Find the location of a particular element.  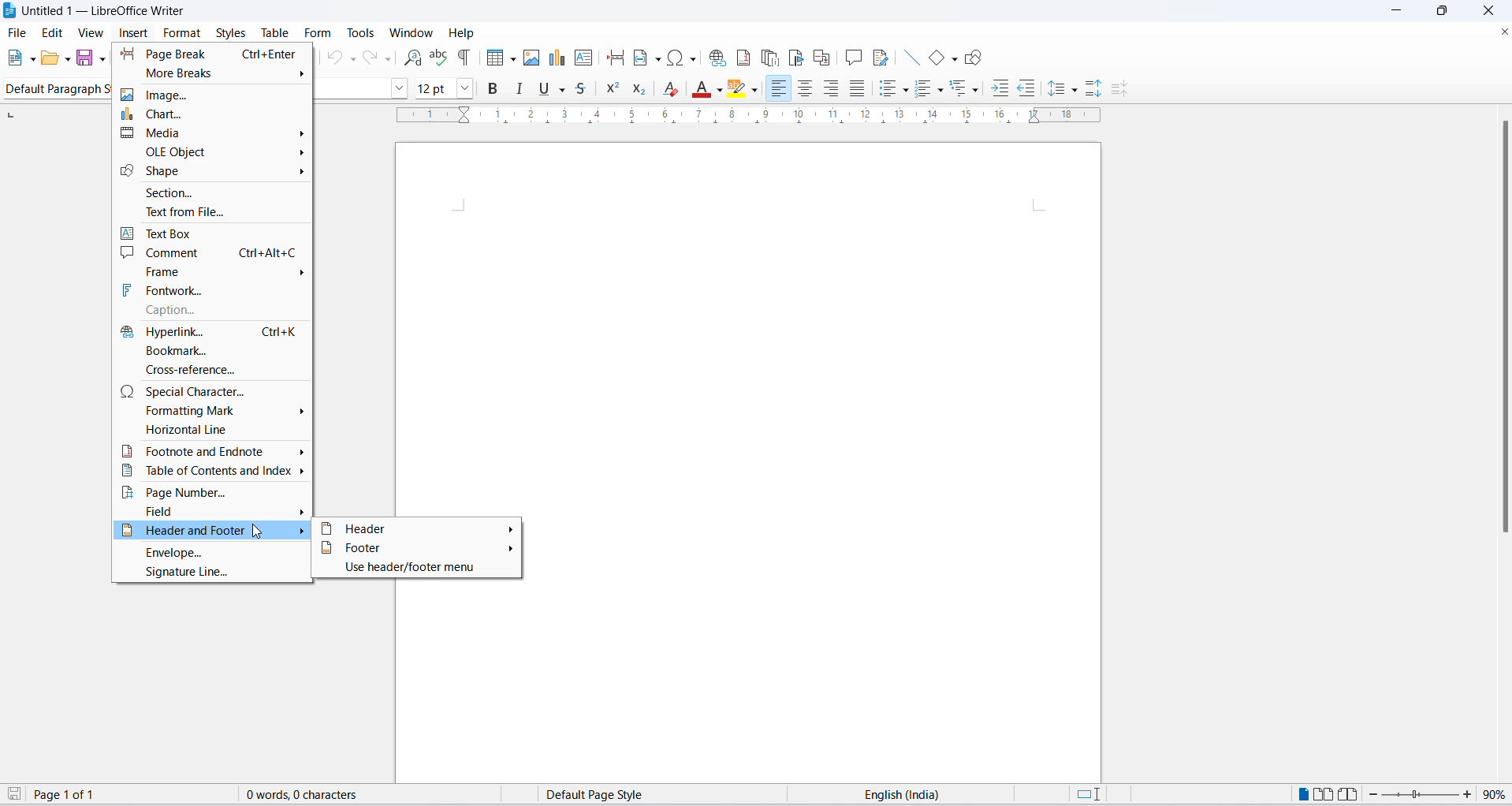

insert is located at coordinates (134, 32).